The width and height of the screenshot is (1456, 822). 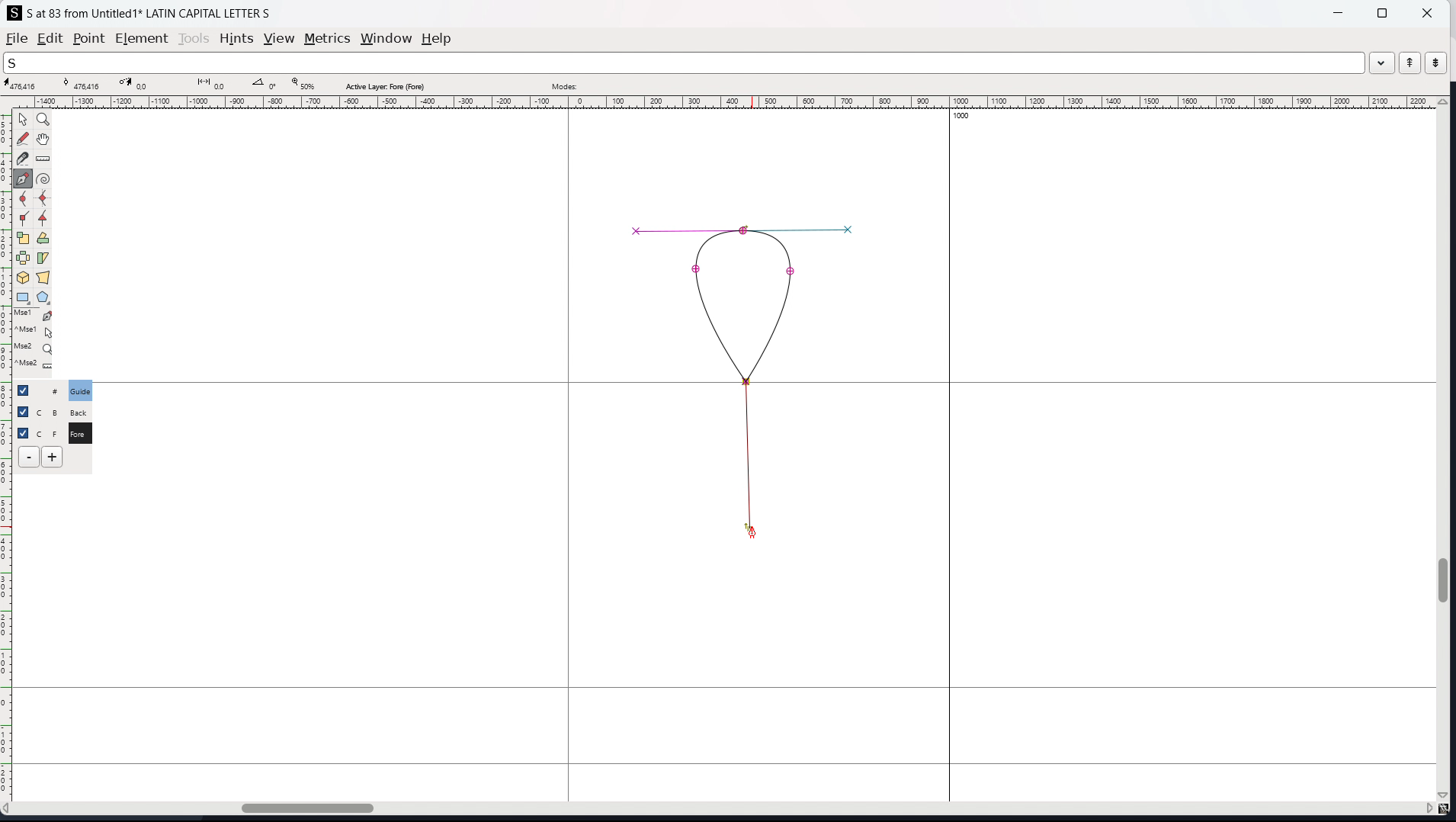 I want to click on vertical scrollbar, so click(x=1446, y=450).